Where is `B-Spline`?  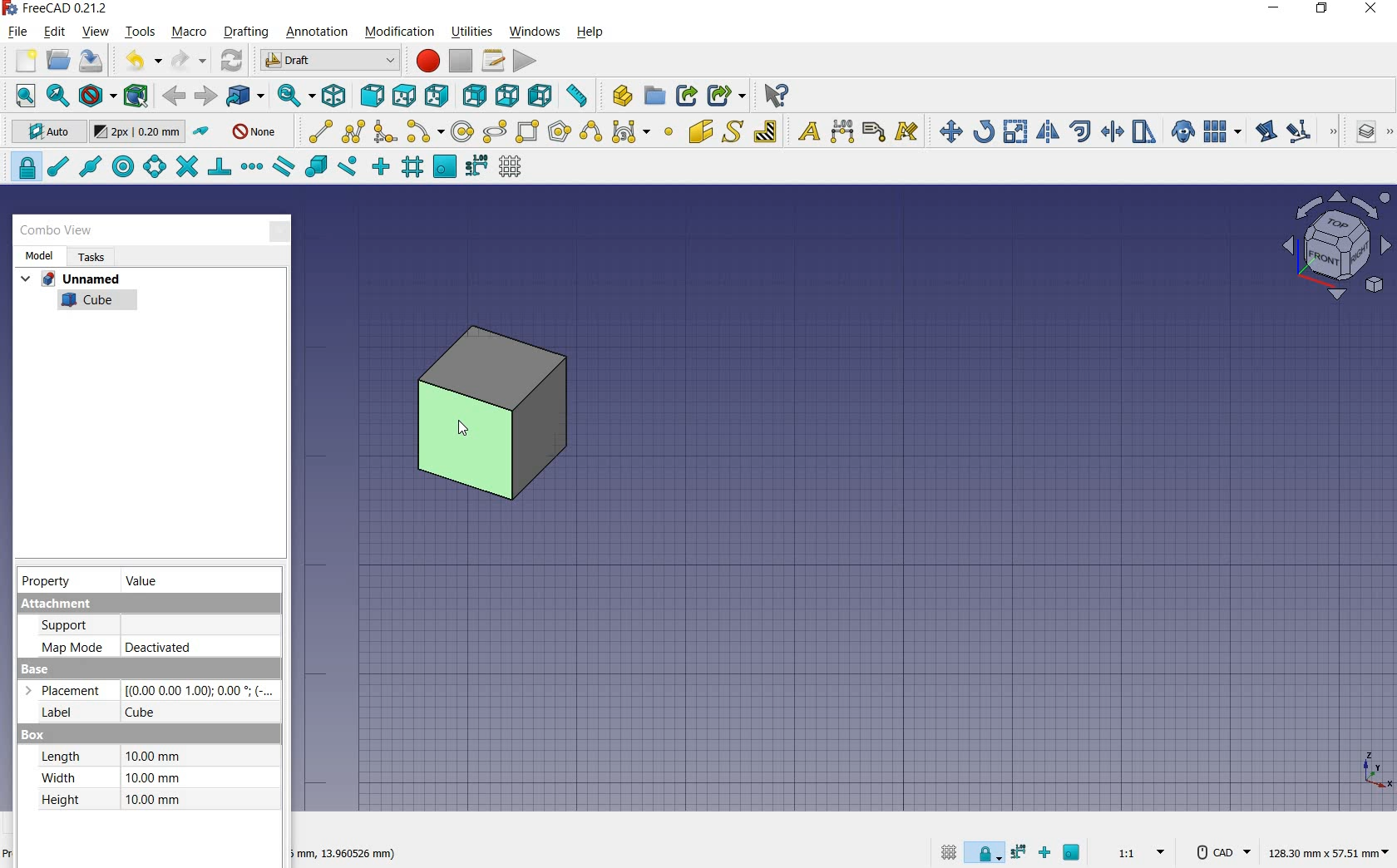
B-Spline is located at coordinates (590, 133).